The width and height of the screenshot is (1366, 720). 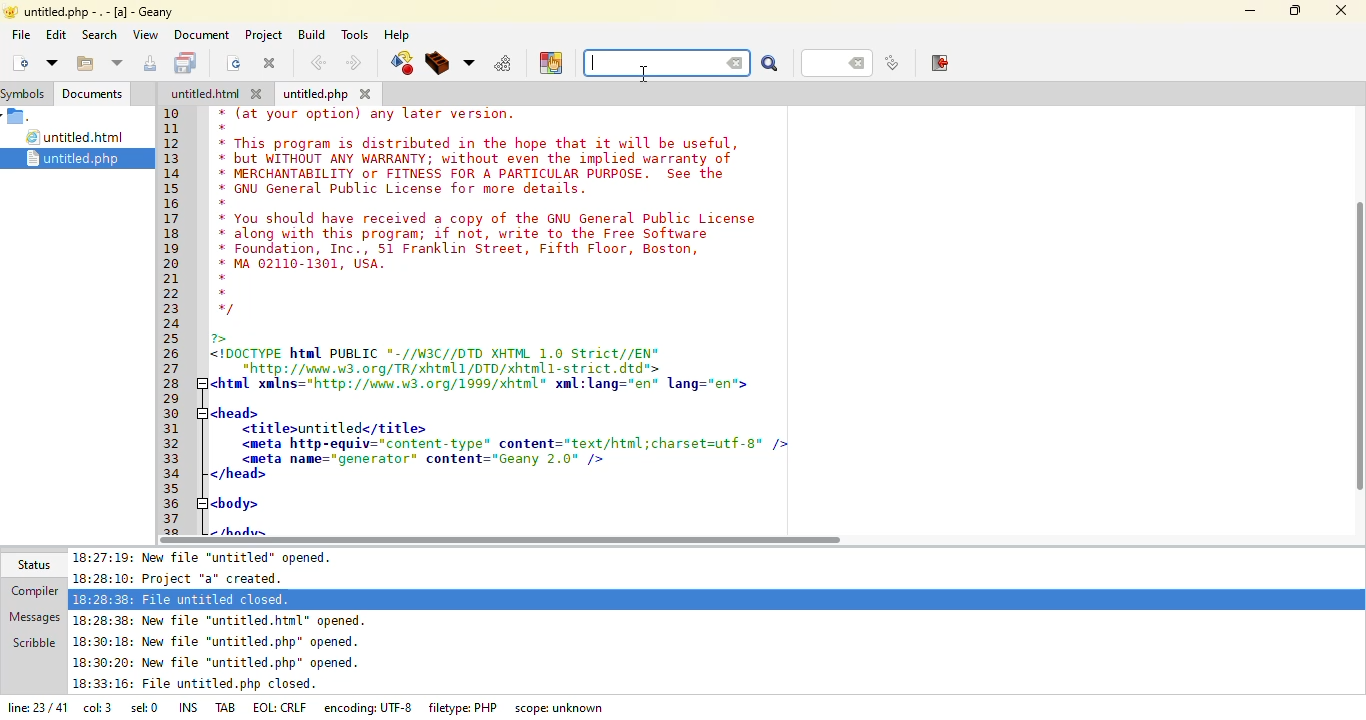 What do you see at coordinates (188, 578) in the screenshot?
I see `18:28:10: project "a" created.` at bounding box center [188, 578].